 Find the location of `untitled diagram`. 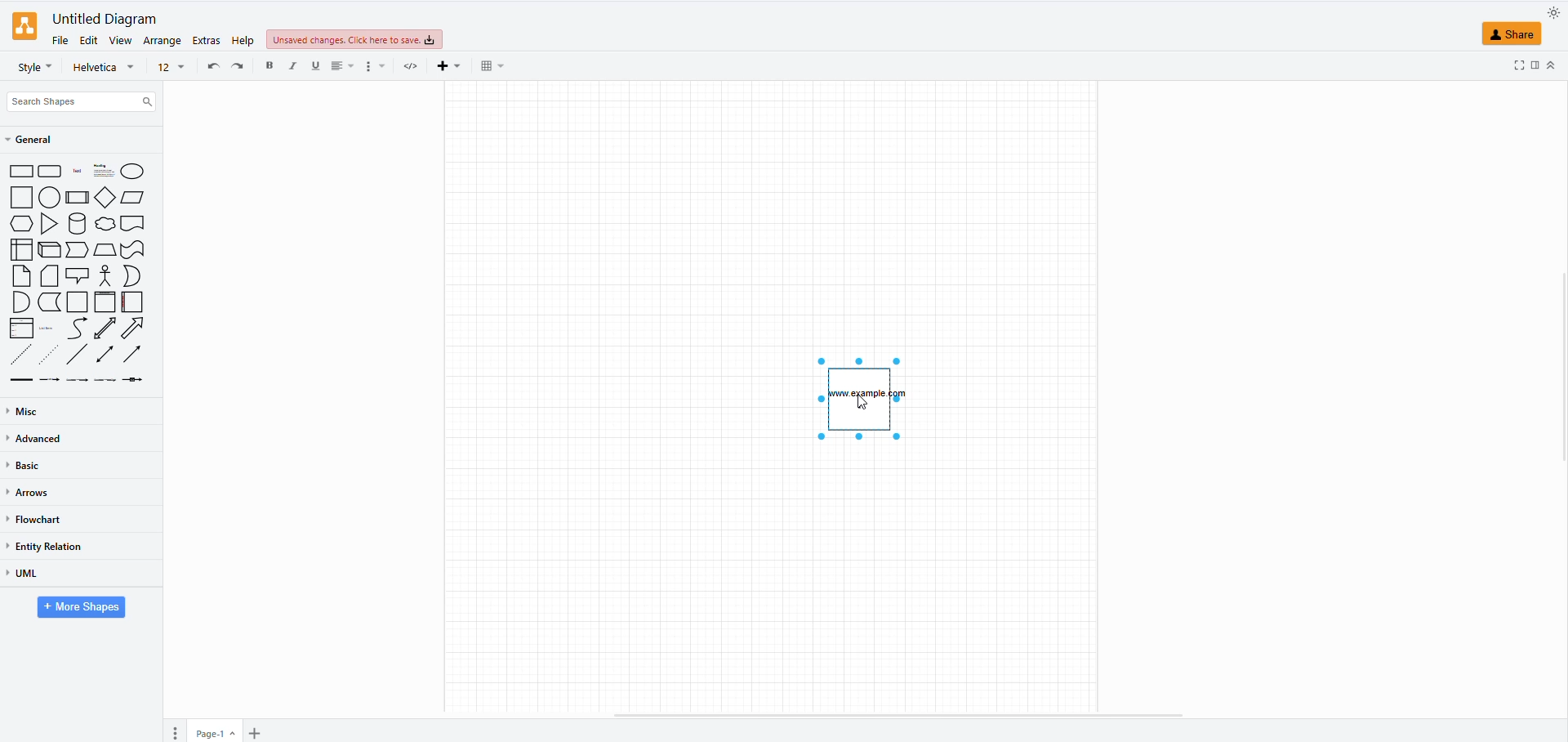

untitled diagram is located at coordinates (103, 20).